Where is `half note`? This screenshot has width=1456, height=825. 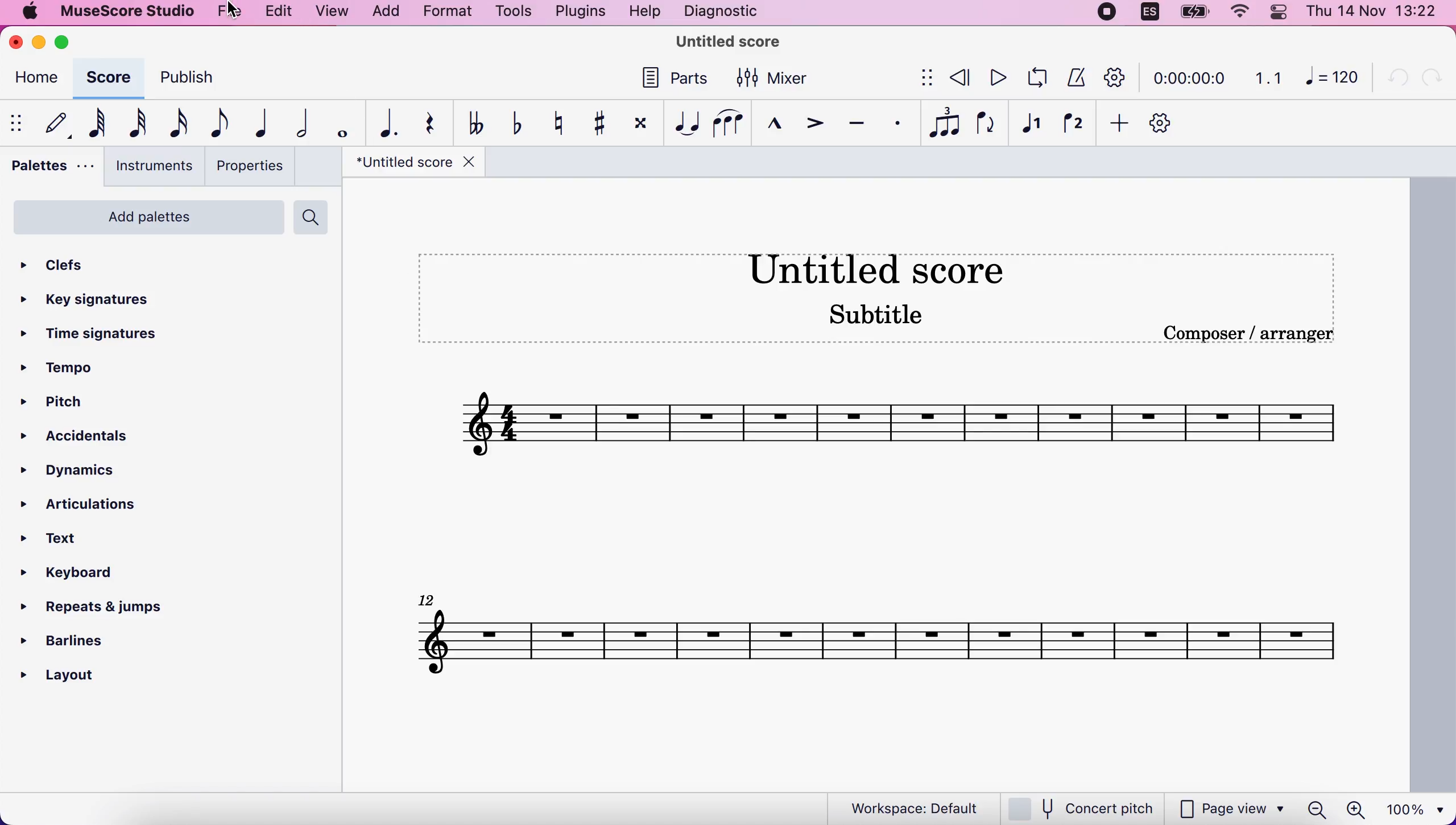 half note is located at coordinates (300, 124).